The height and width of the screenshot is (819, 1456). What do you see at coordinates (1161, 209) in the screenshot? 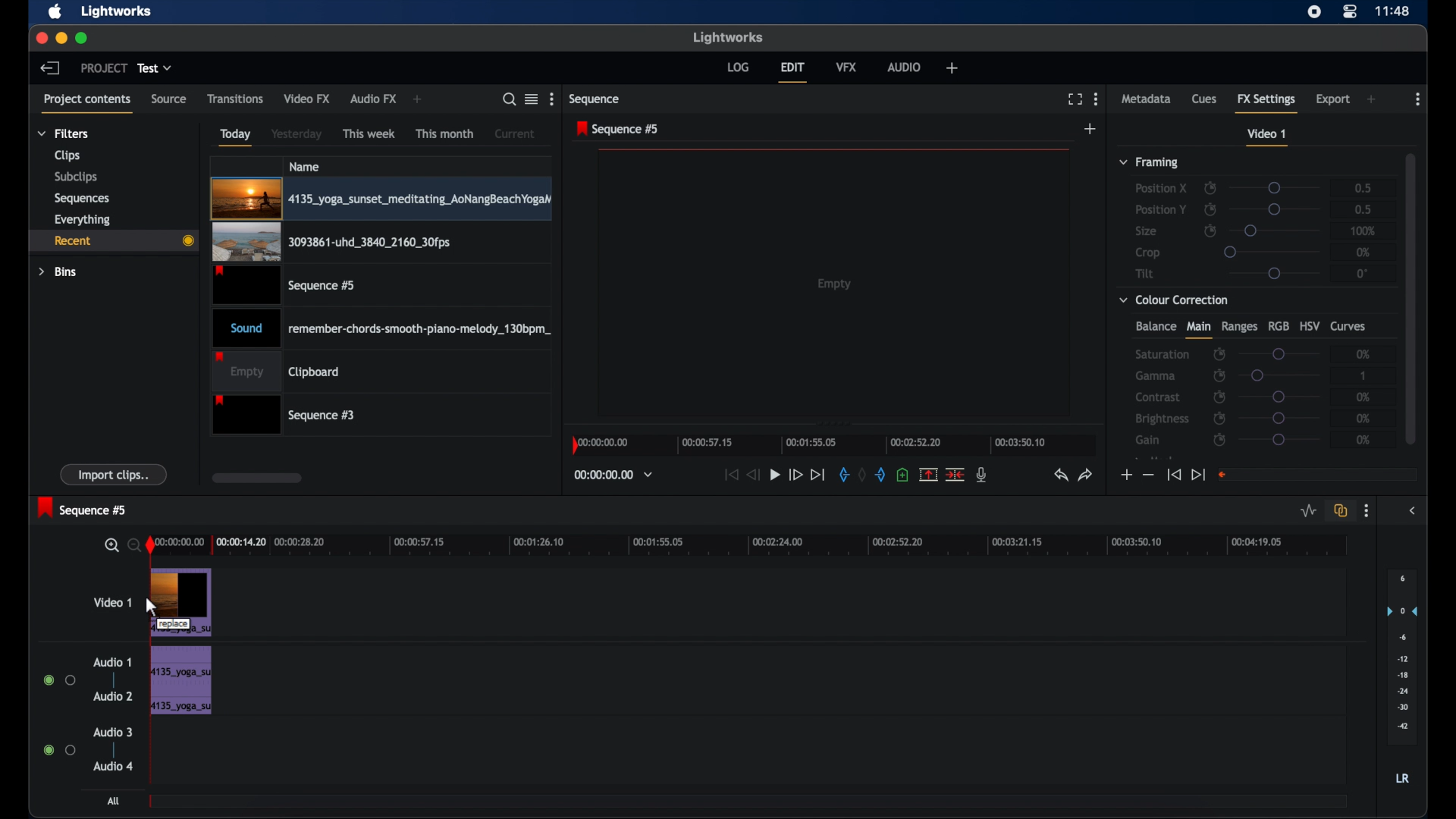
I see `position` at bounding box center [1161, 209].